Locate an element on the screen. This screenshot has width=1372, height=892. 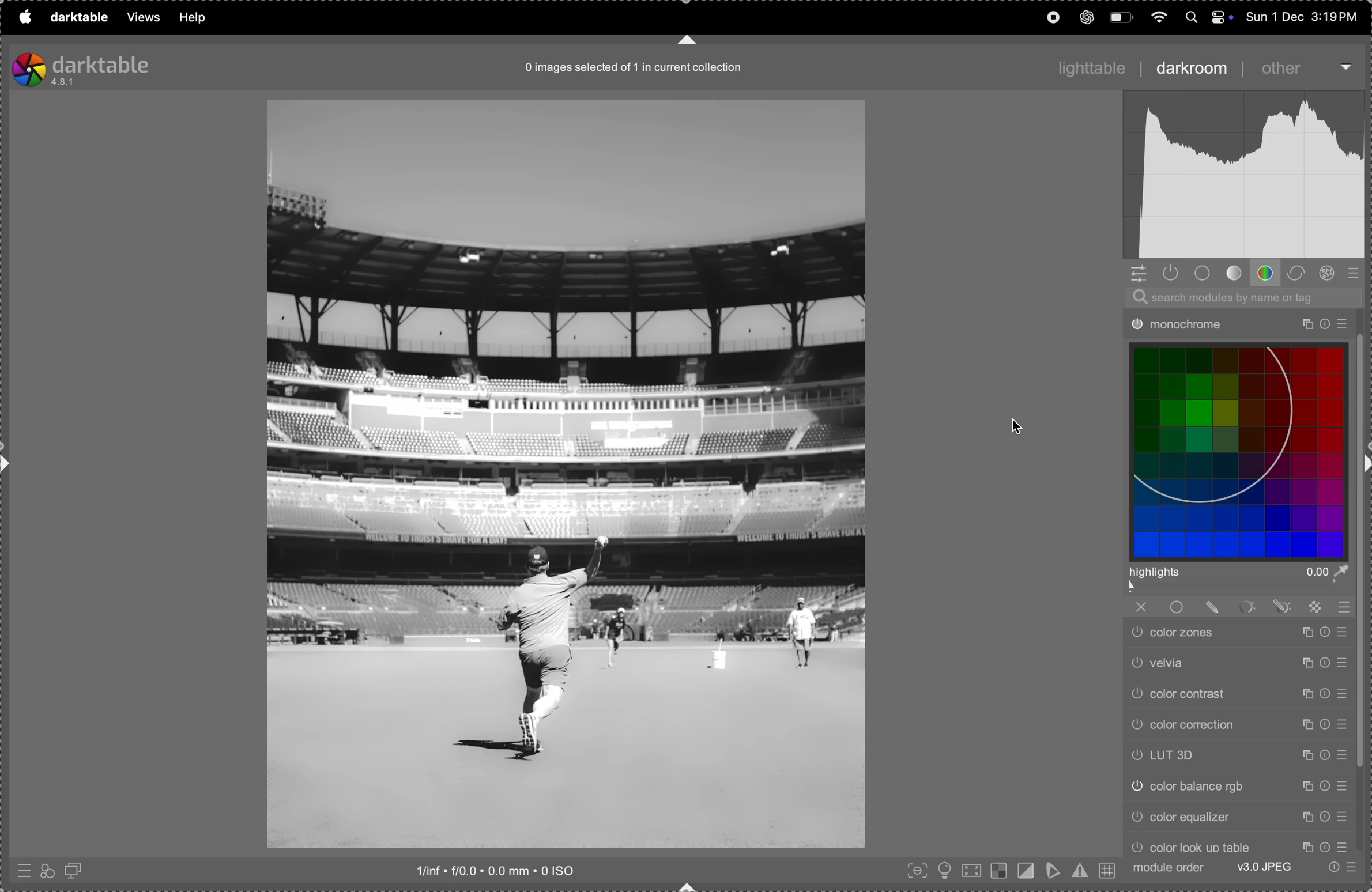
Black and white image is located at coordinates (568, 476).